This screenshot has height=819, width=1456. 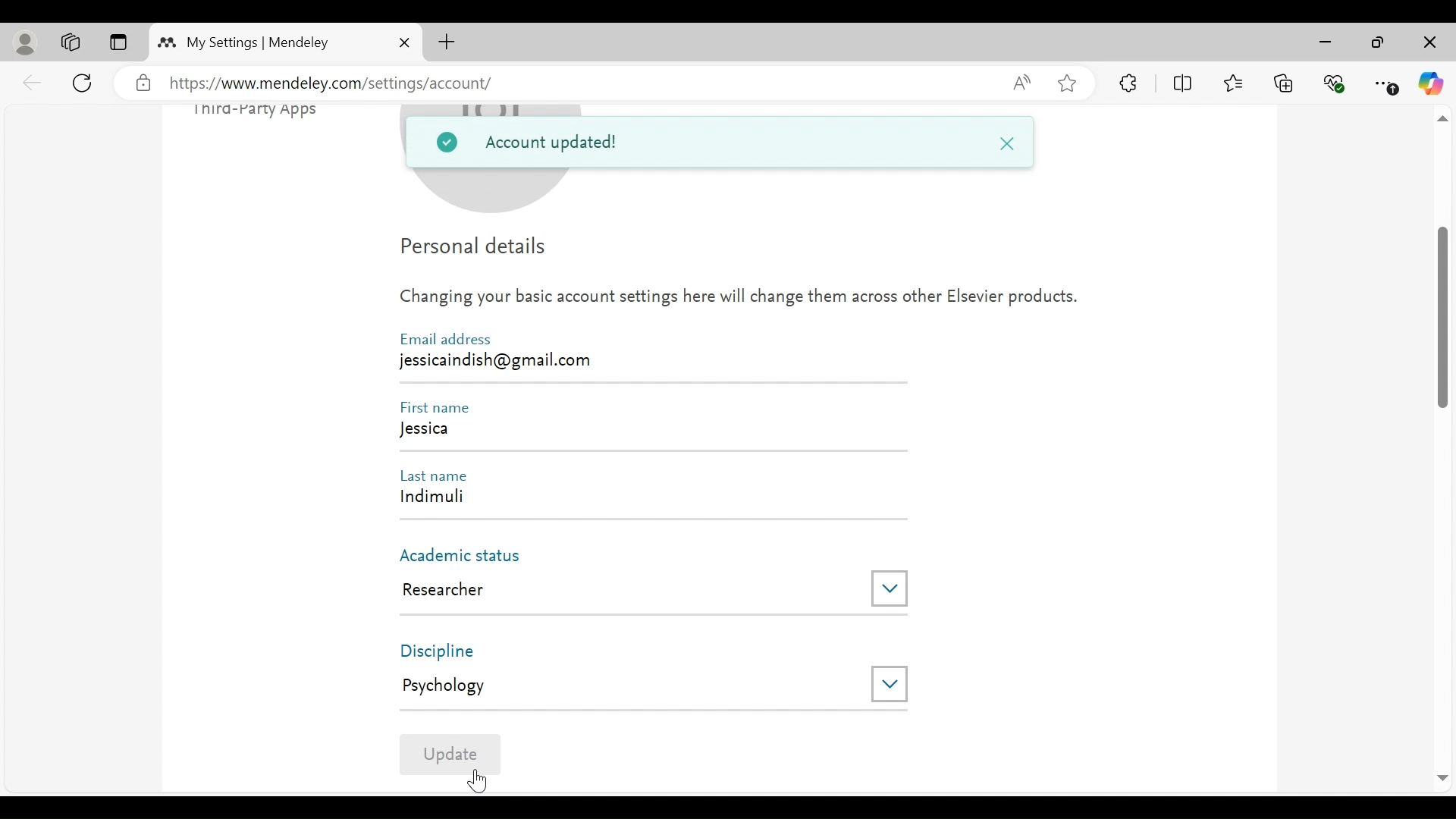 I want to click on Discipline, so click(x=451, y=651).